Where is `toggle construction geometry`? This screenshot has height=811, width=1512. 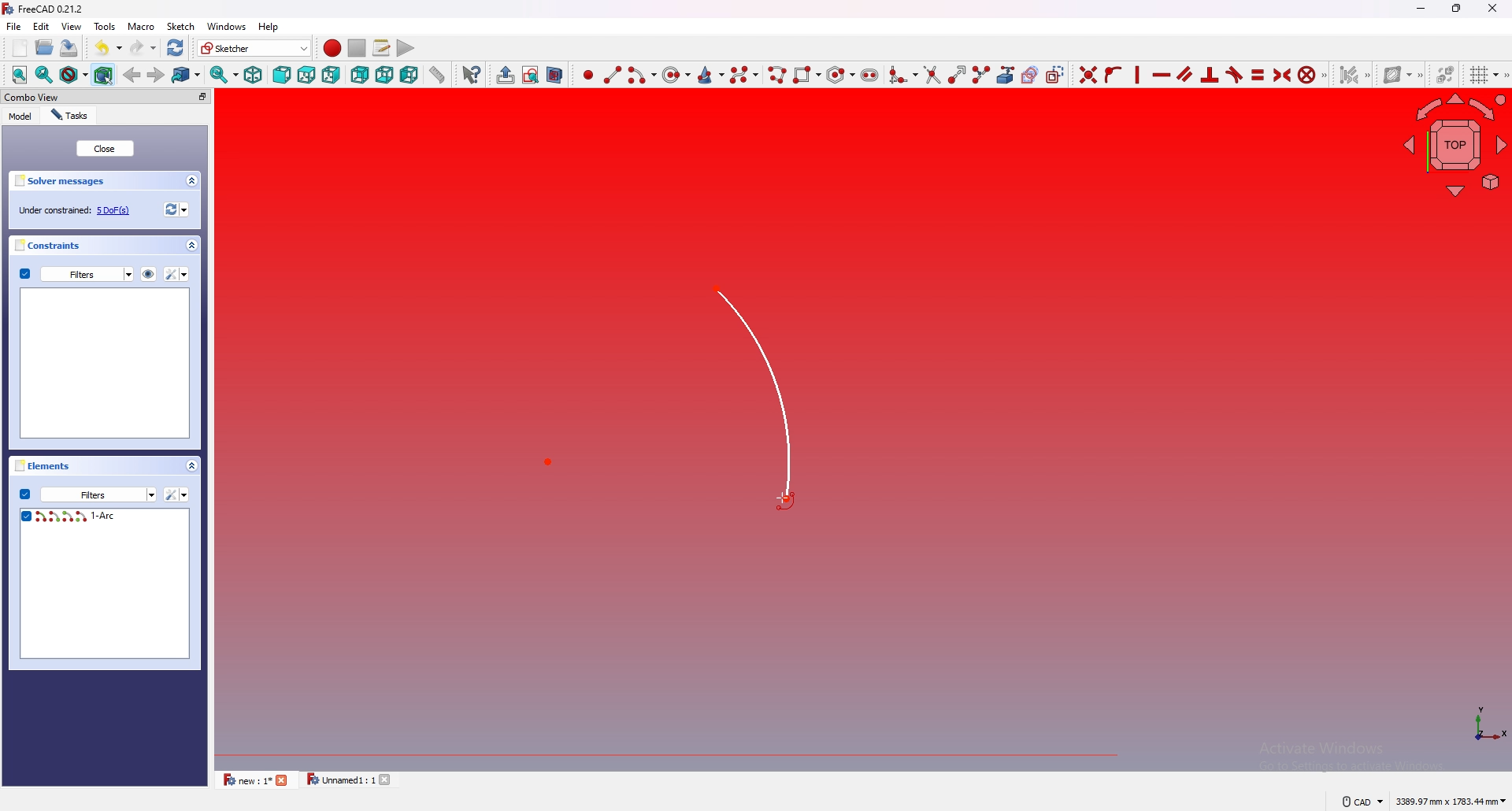
toggle construction geometry is located at coordinates (1054, 73).